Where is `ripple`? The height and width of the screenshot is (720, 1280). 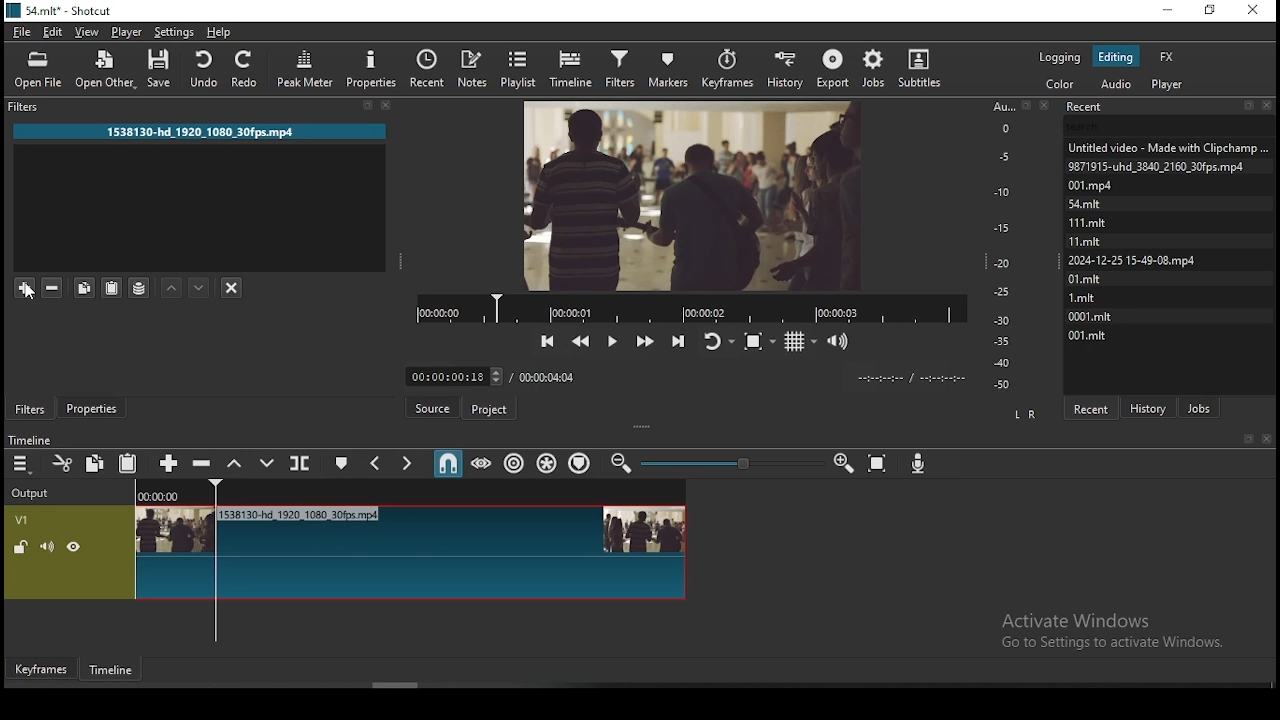
ripple is located at coordinates (512, 464).